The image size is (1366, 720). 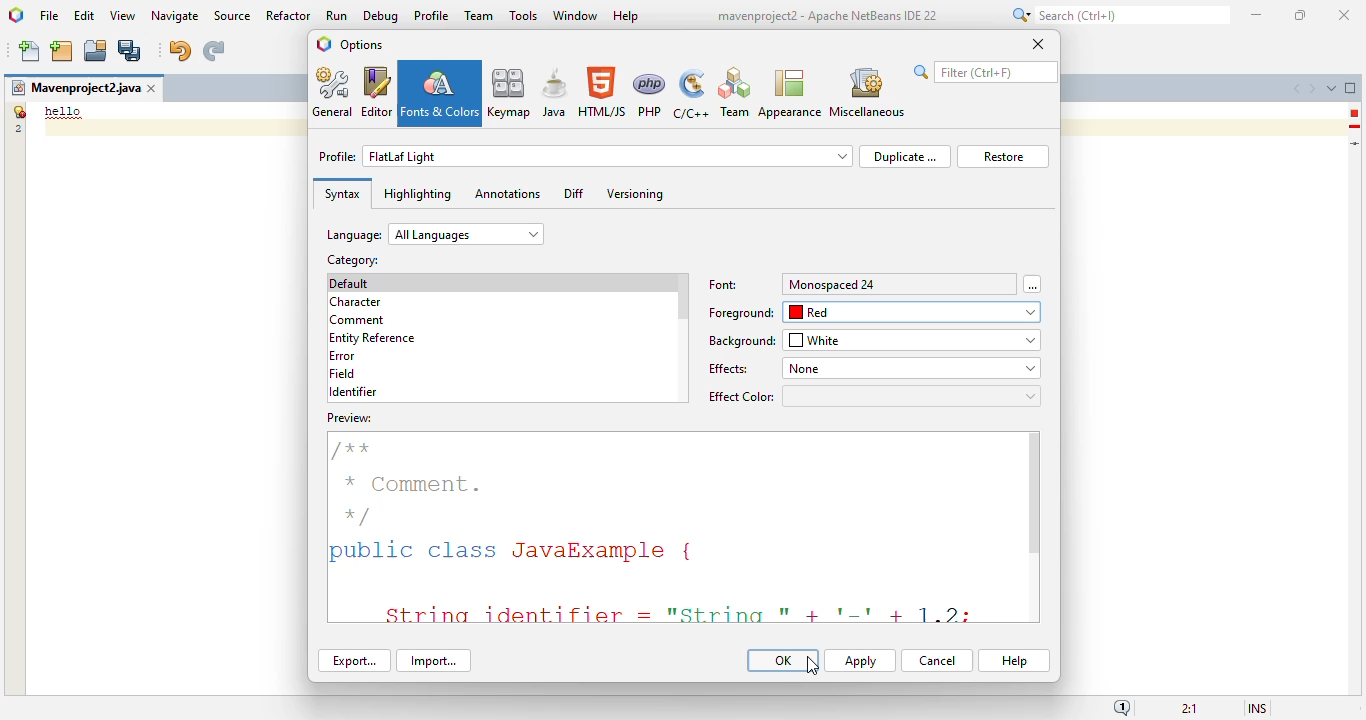 I want to click on Monospaced 24, so click(x=833, y=284).